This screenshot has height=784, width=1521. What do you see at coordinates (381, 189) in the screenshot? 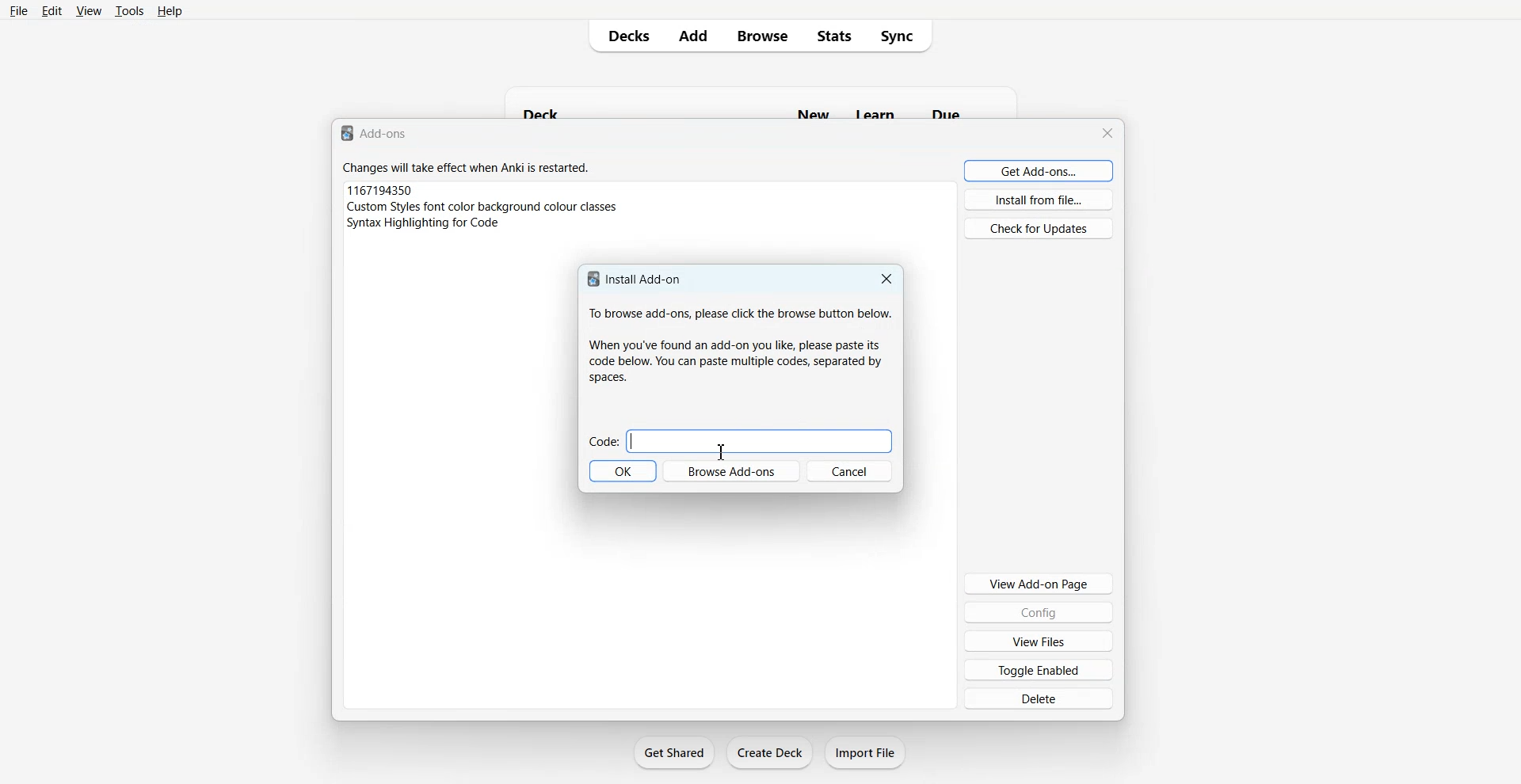
I see `1167194350` at bounding box center [381, 189].